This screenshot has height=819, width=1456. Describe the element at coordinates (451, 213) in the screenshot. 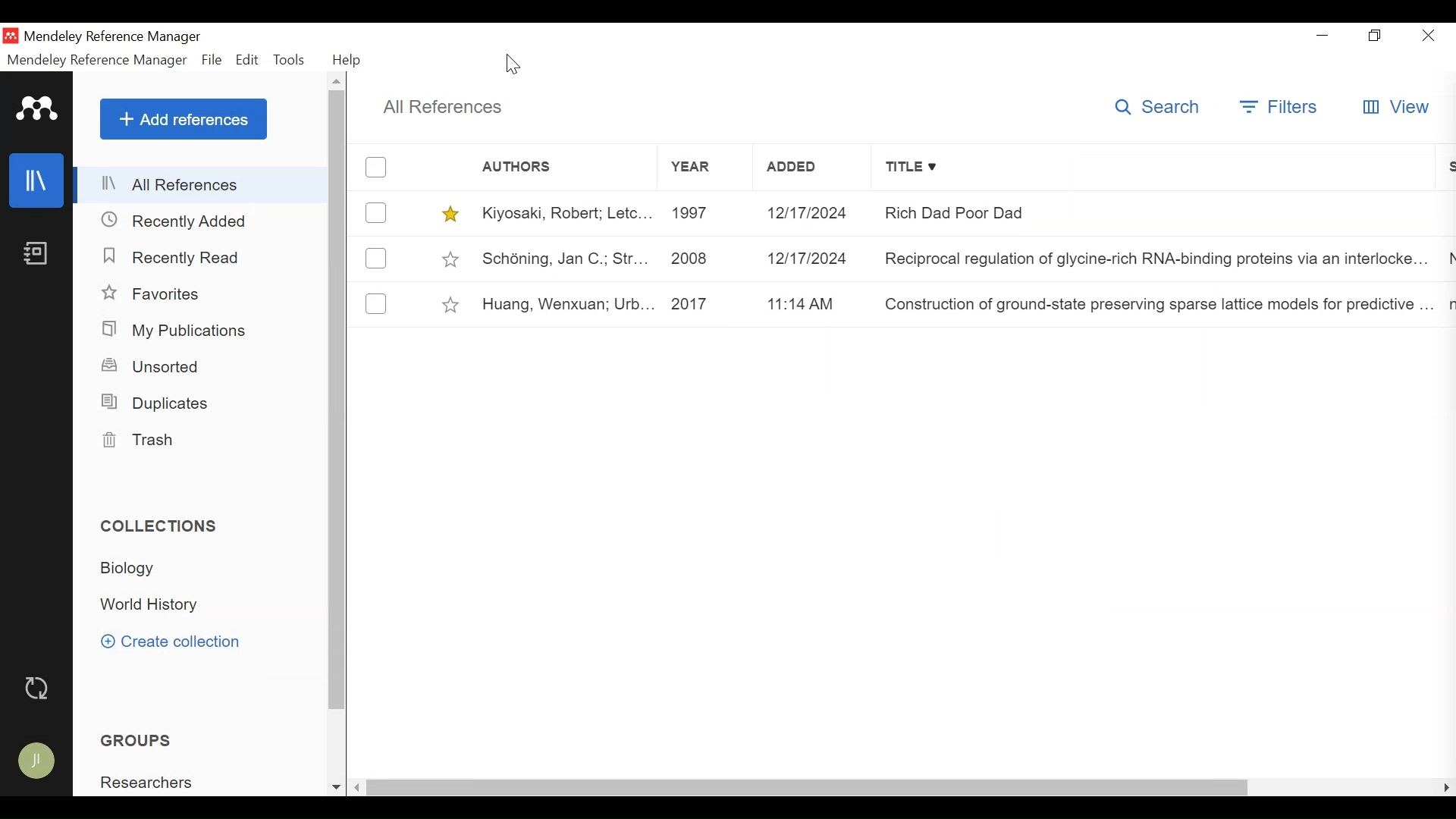

I see `Toggle Favorites` at that location.